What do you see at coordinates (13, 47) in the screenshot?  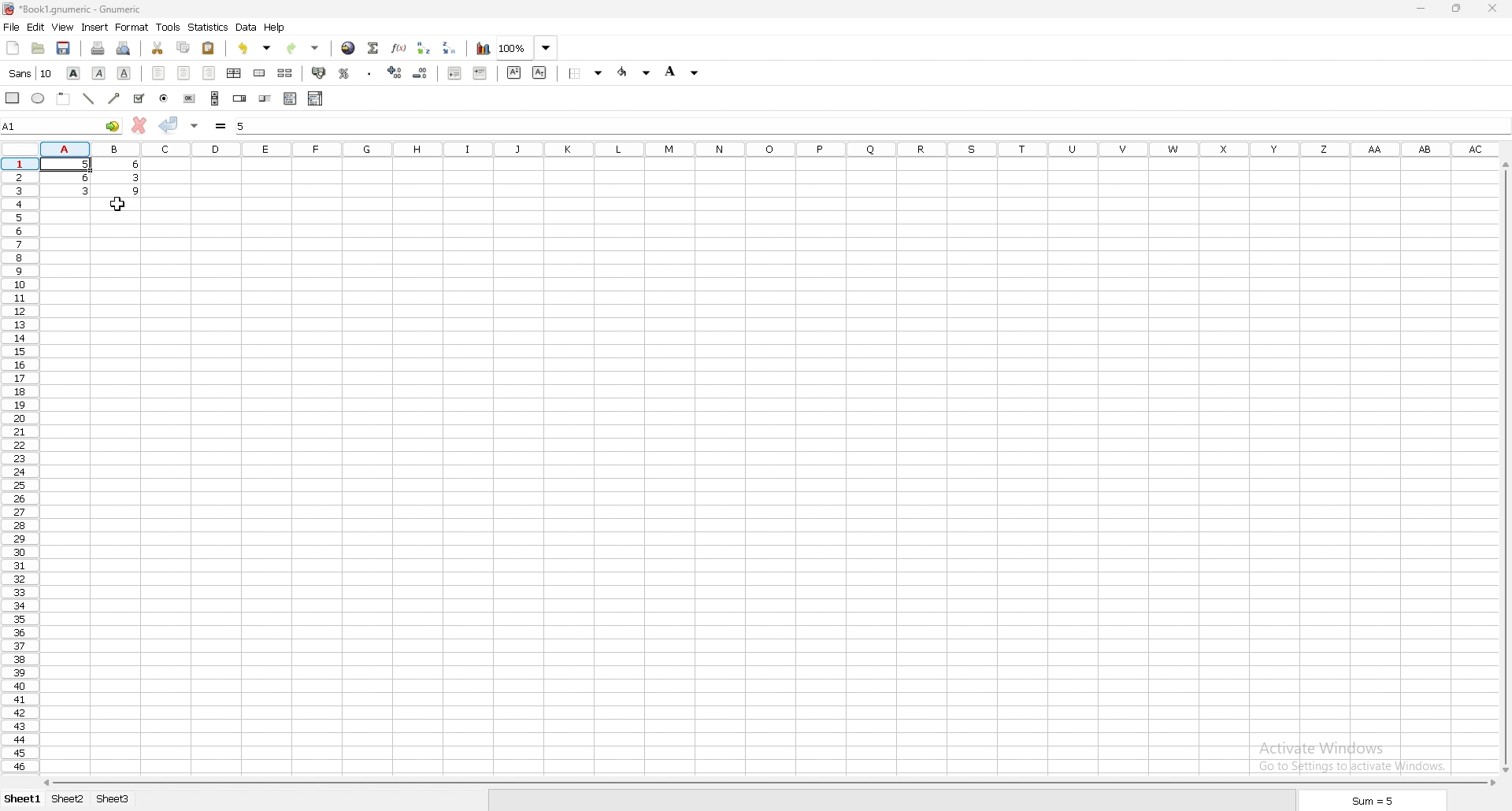 I see `new` at bounding box center [13, 47].